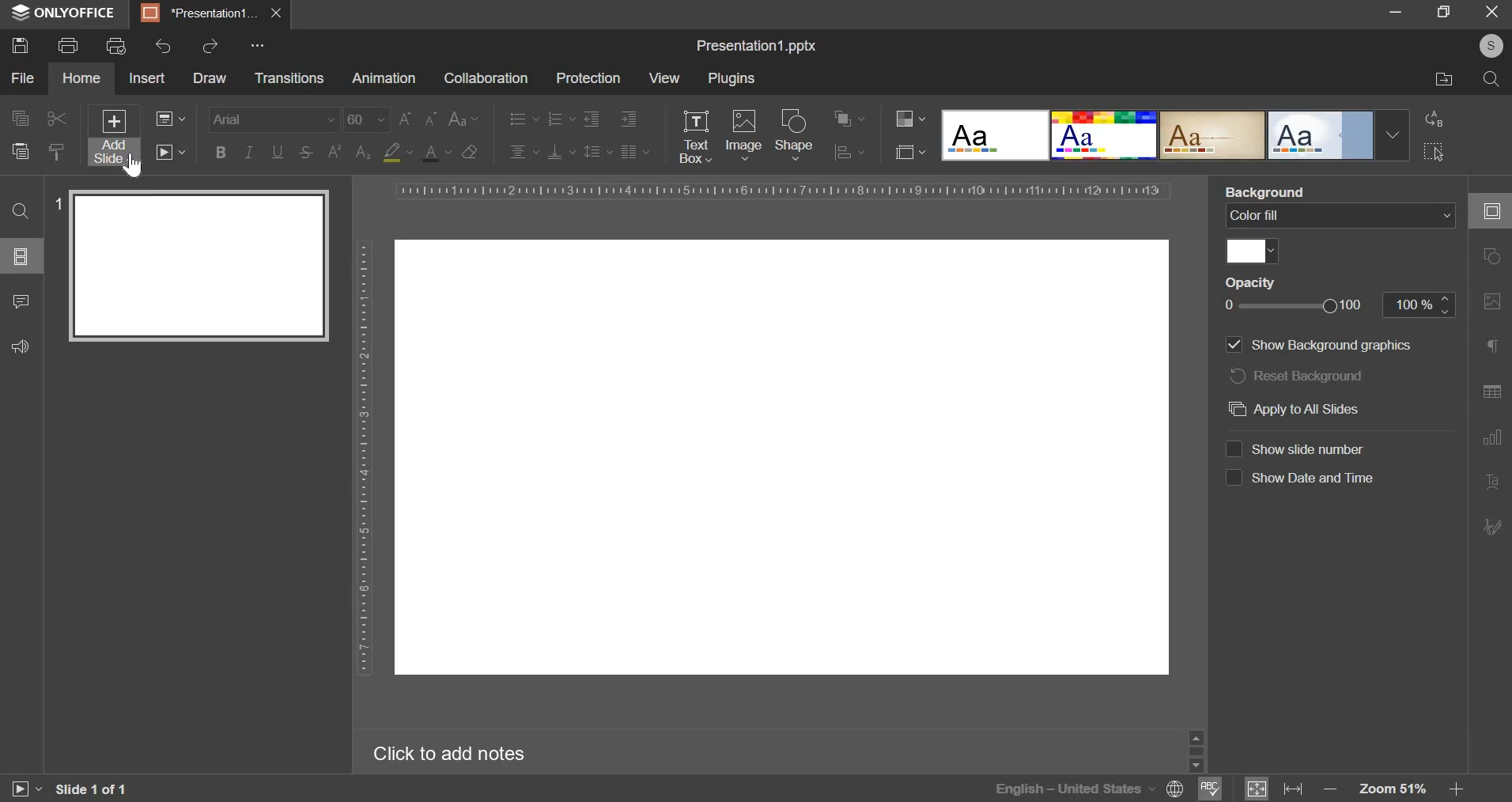 This screenshot has width=1512, height=802. What do you see at coordinates (1454, 789) in the screenshot?
I see `zoom in` at bounding box center [1454, 789].